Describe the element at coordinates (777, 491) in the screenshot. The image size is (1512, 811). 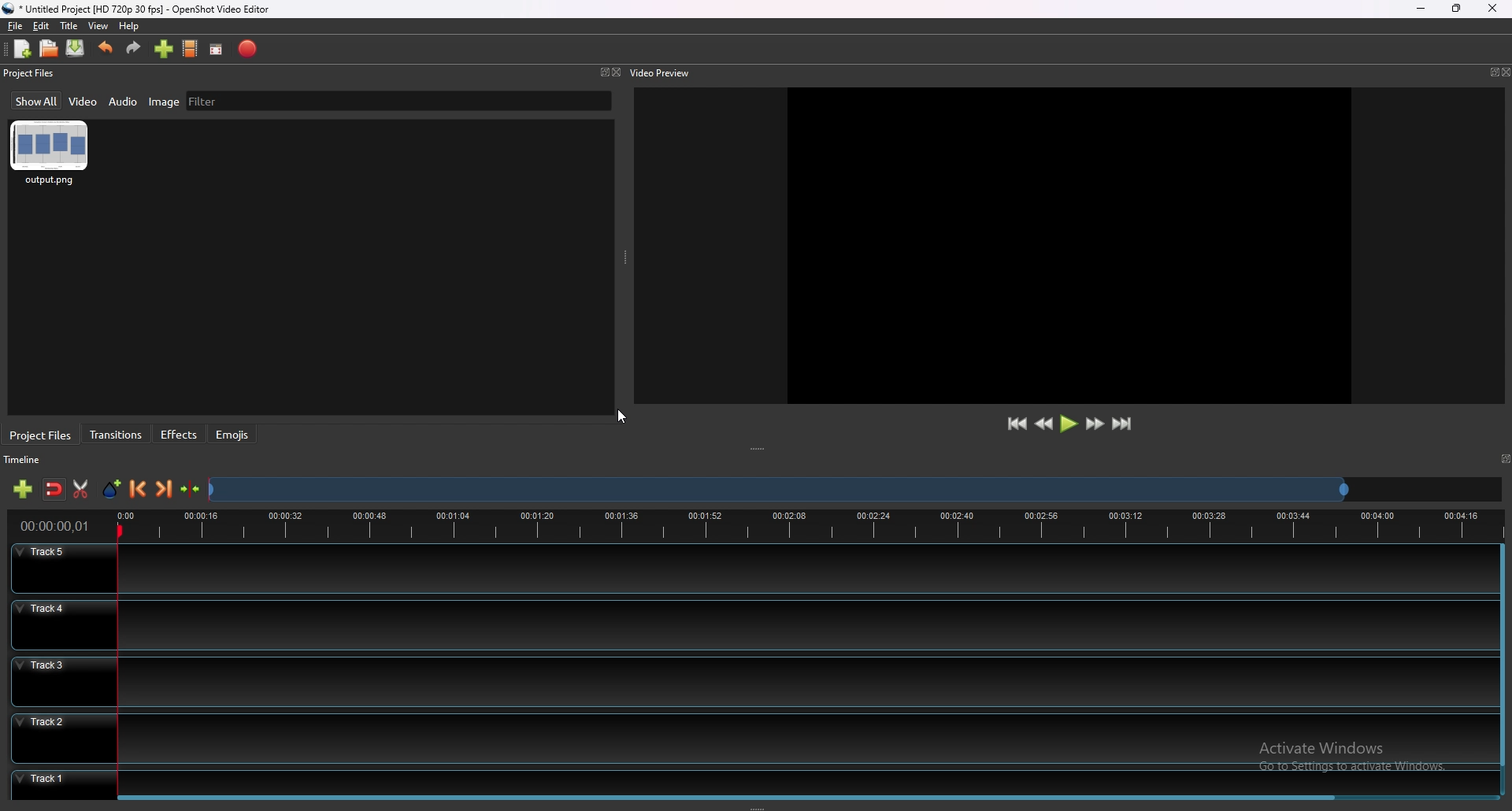
I see `seek` at that location.